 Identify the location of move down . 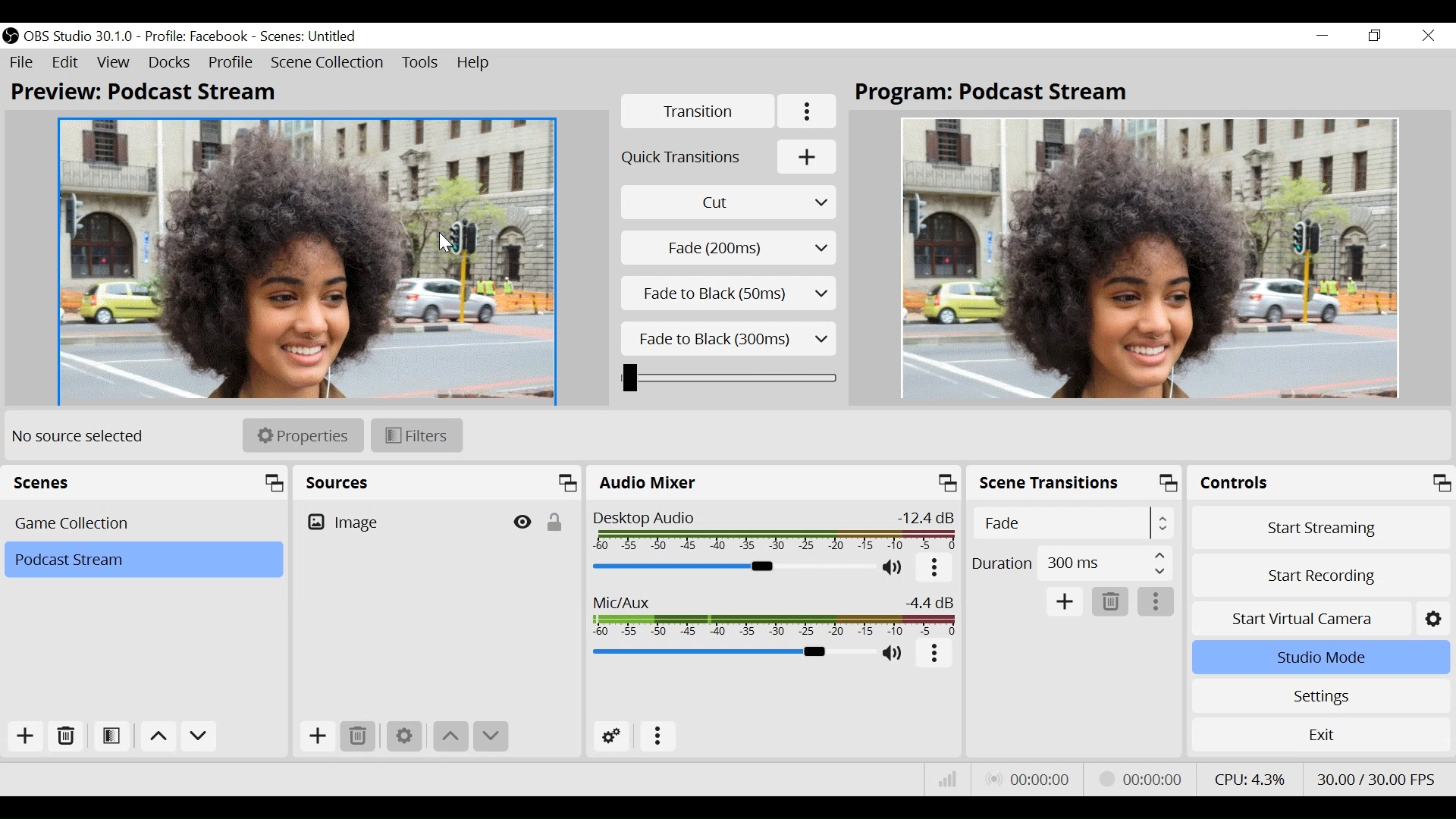
(489, 736).